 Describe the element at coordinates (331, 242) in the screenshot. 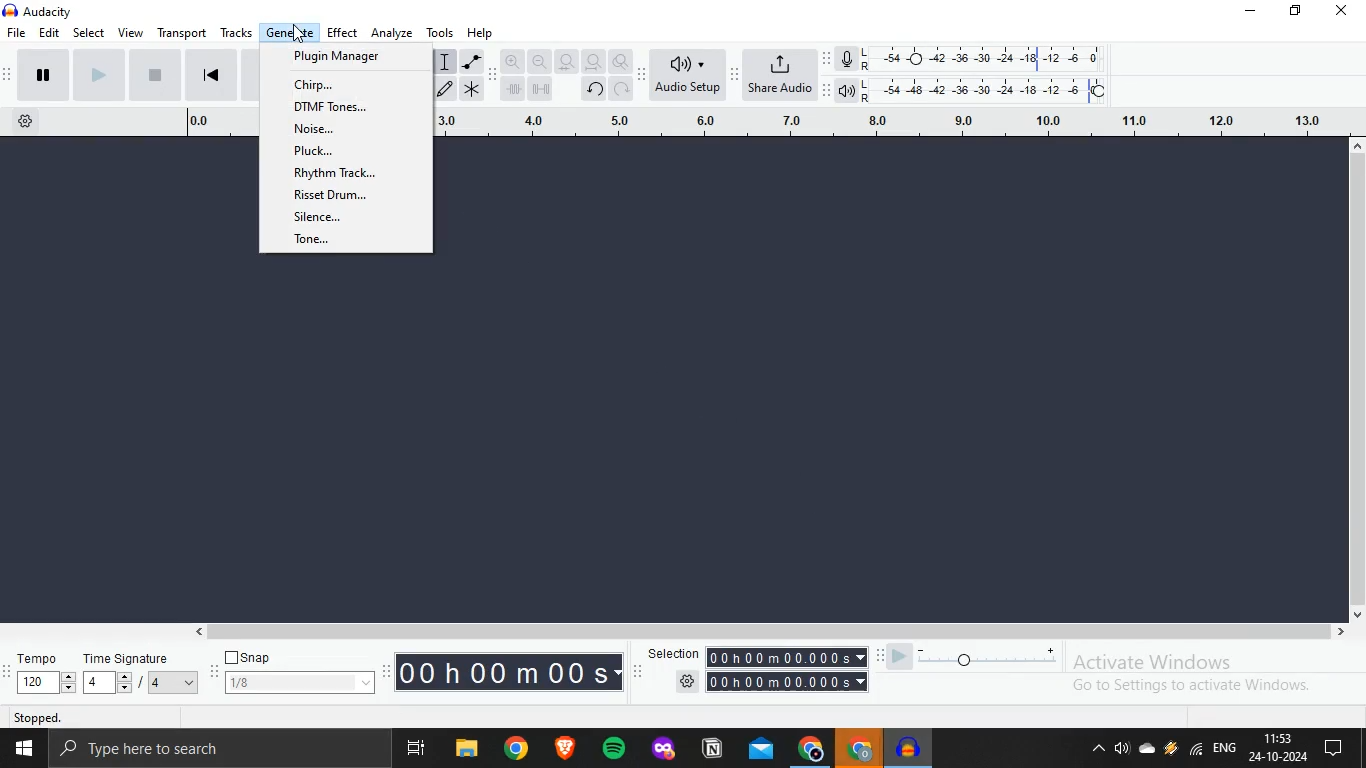

I see `tone` at that location.